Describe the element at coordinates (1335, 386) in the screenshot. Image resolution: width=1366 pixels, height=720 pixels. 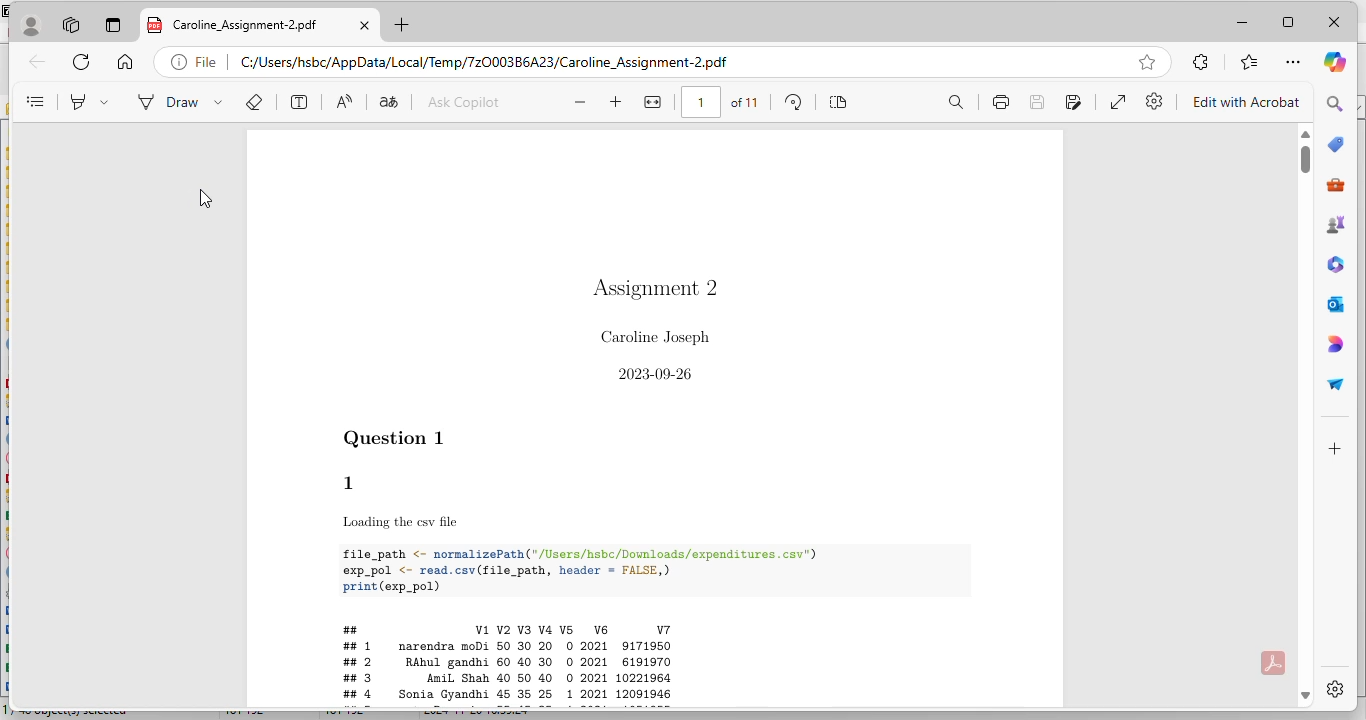
I see `drop` at that location.